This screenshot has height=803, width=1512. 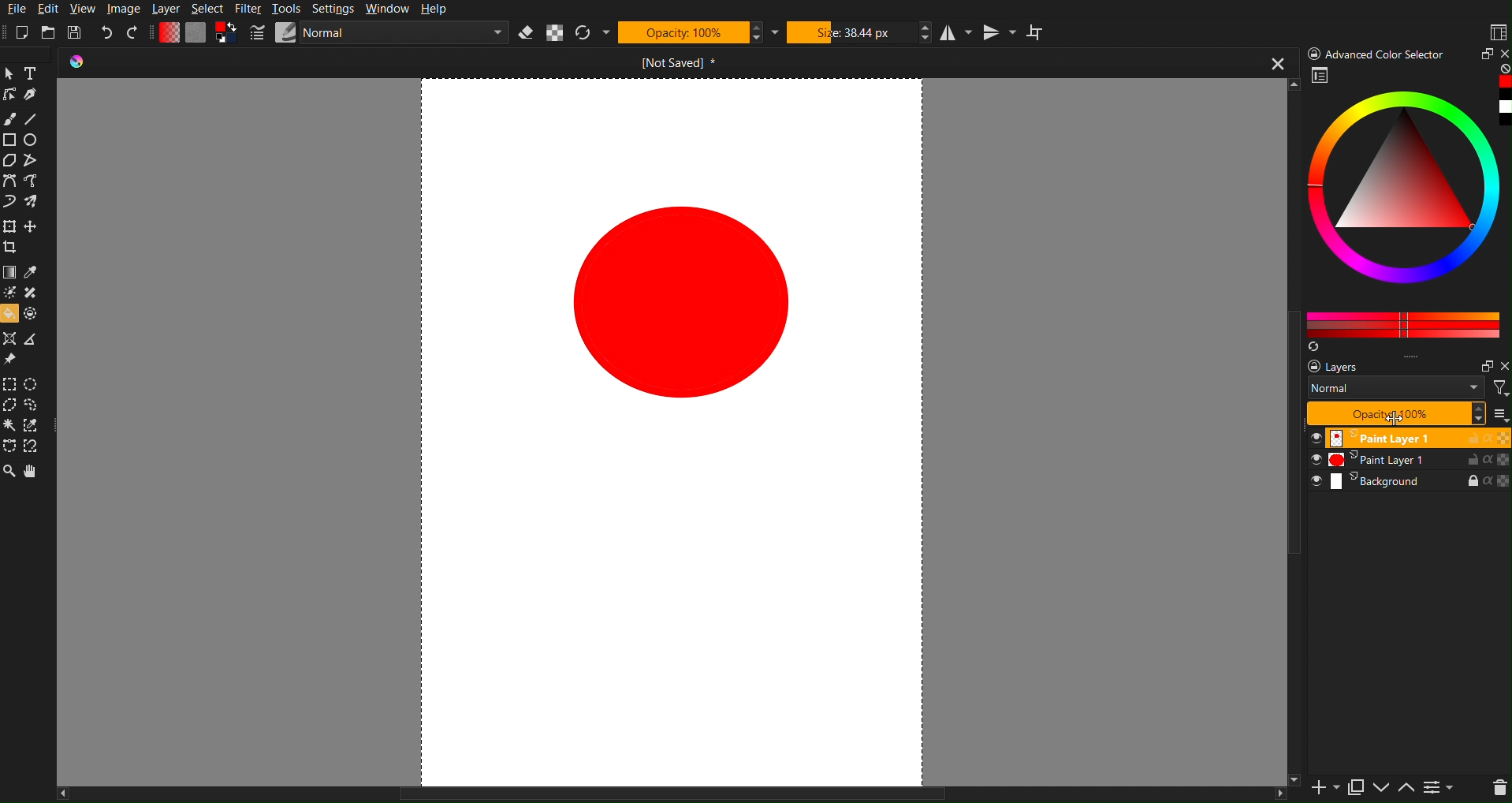 What do you see at coordinates (390, 10) in the screenshot?
I see `Window` at bounding box center [390, 10].